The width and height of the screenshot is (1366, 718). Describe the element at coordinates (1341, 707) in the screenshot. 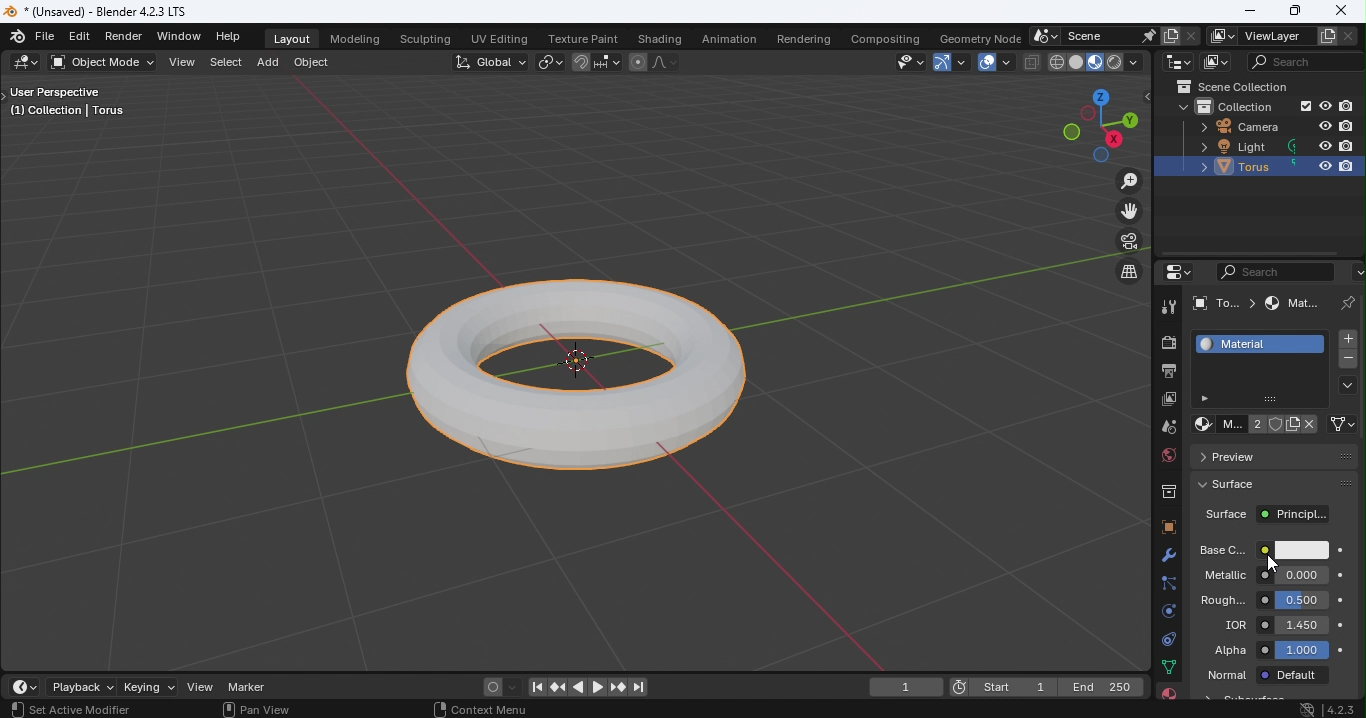

I see `Blender version` at that location.